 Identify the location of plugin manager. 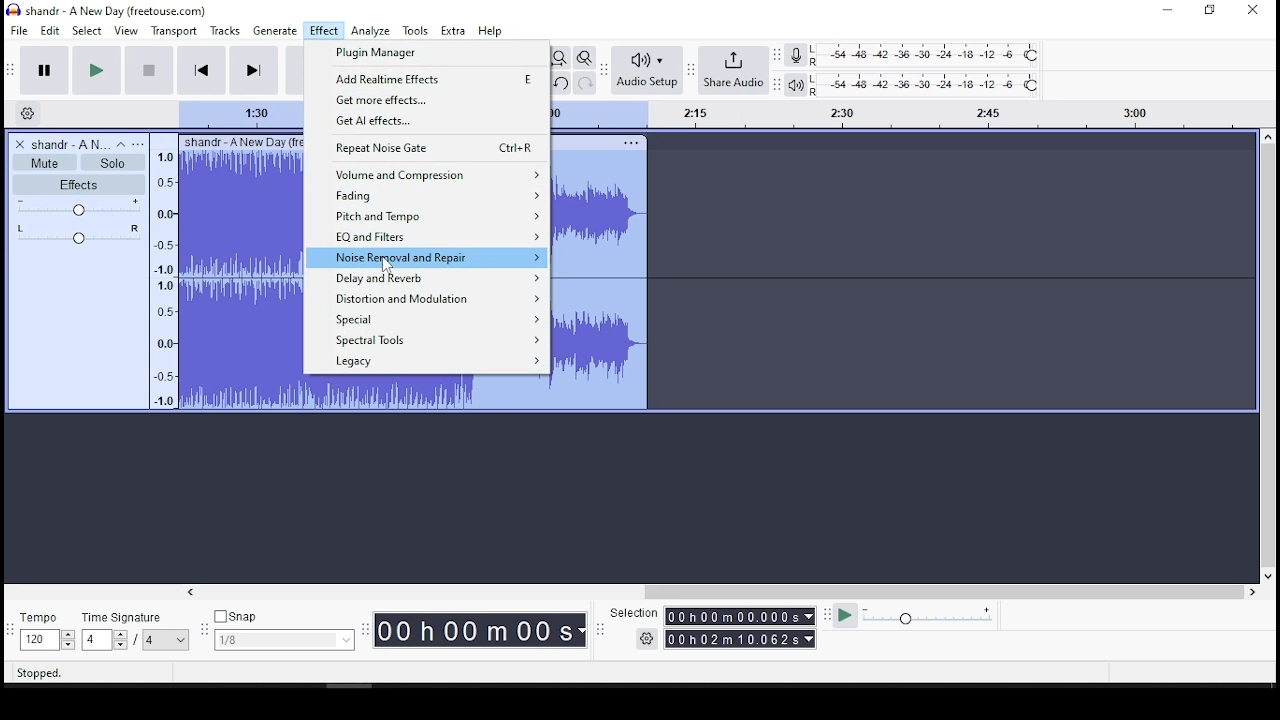
(428, 53).